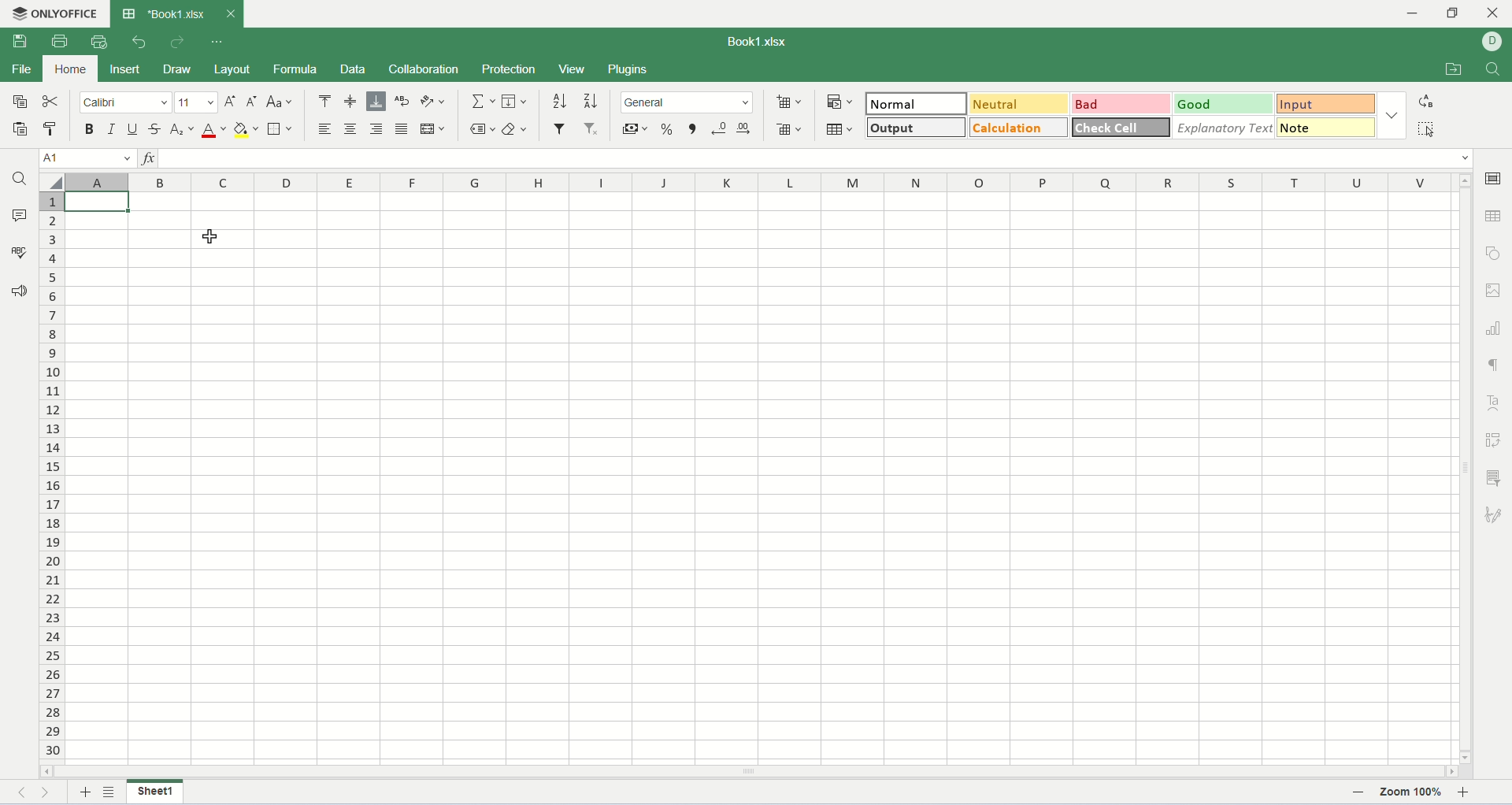  Describe the element at coordinates (483, 101) in the screenshot. I see `summation` at that location.